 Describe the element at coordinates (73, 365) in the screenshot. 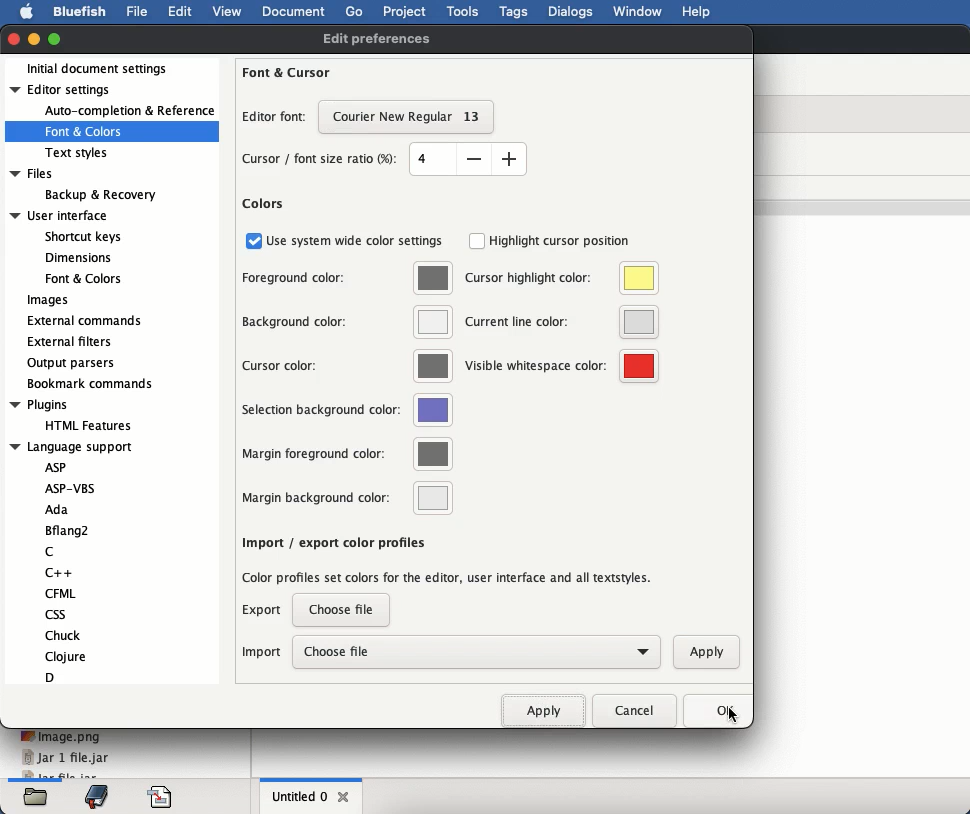

I see `output parsers` at that location.